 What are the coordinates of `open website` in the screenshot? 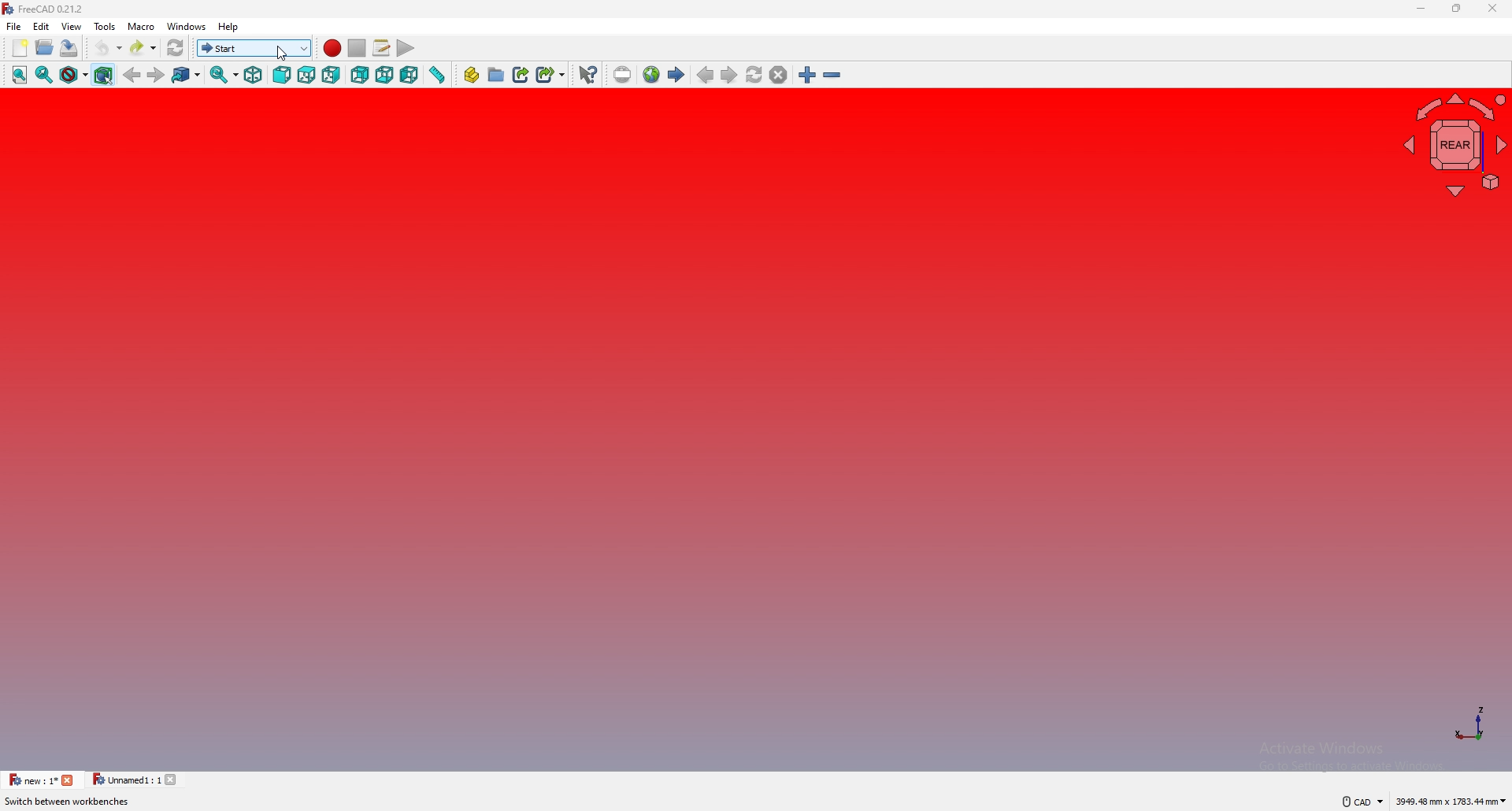 It's located at (652, 75).